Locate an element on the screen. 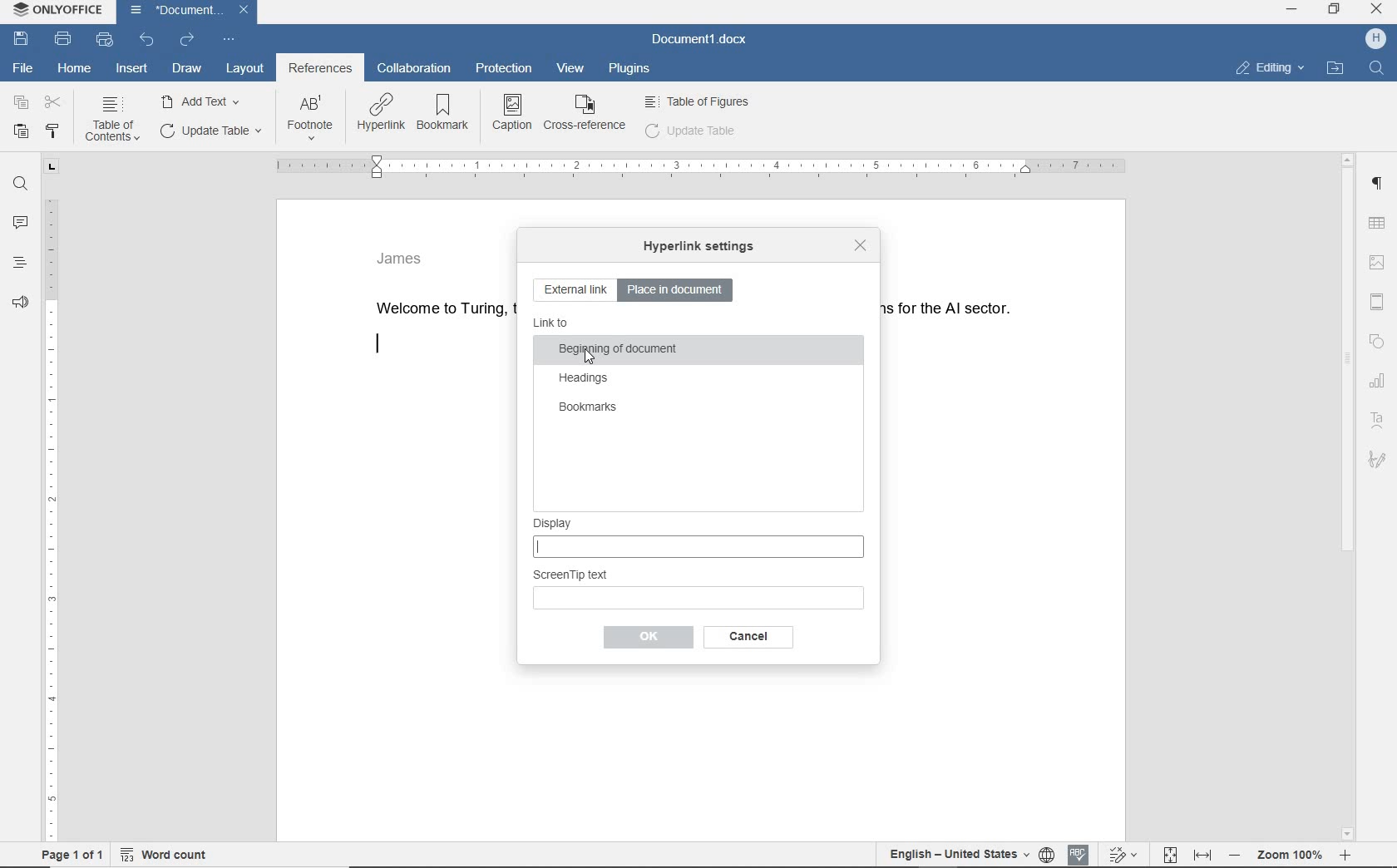 The image size is (1397, 868). English - United States is located at coordinates (949, 856).